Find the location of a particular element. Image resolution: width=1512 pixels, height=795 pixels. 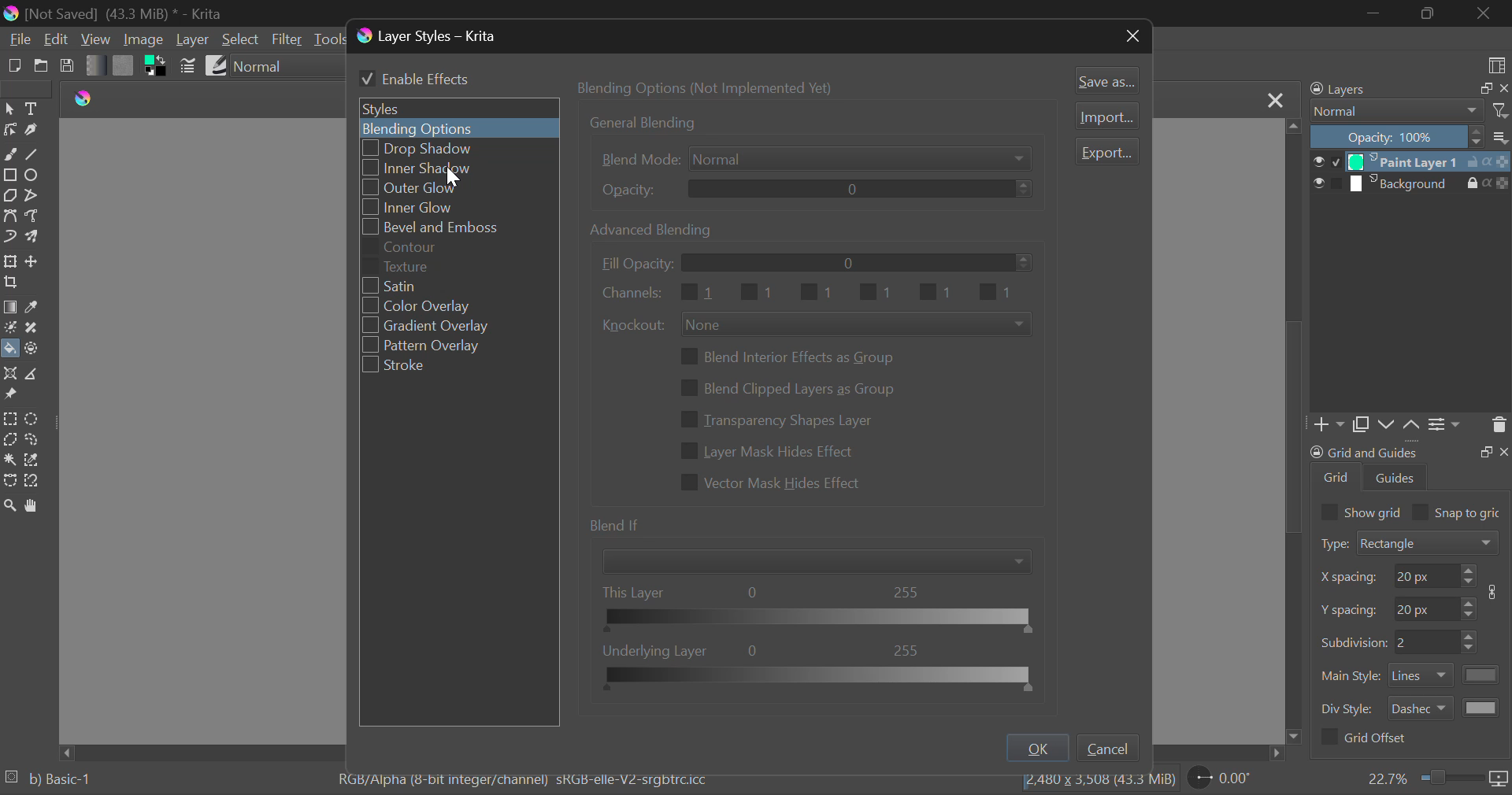

scrollbar is located at coordinates (1292, 443).